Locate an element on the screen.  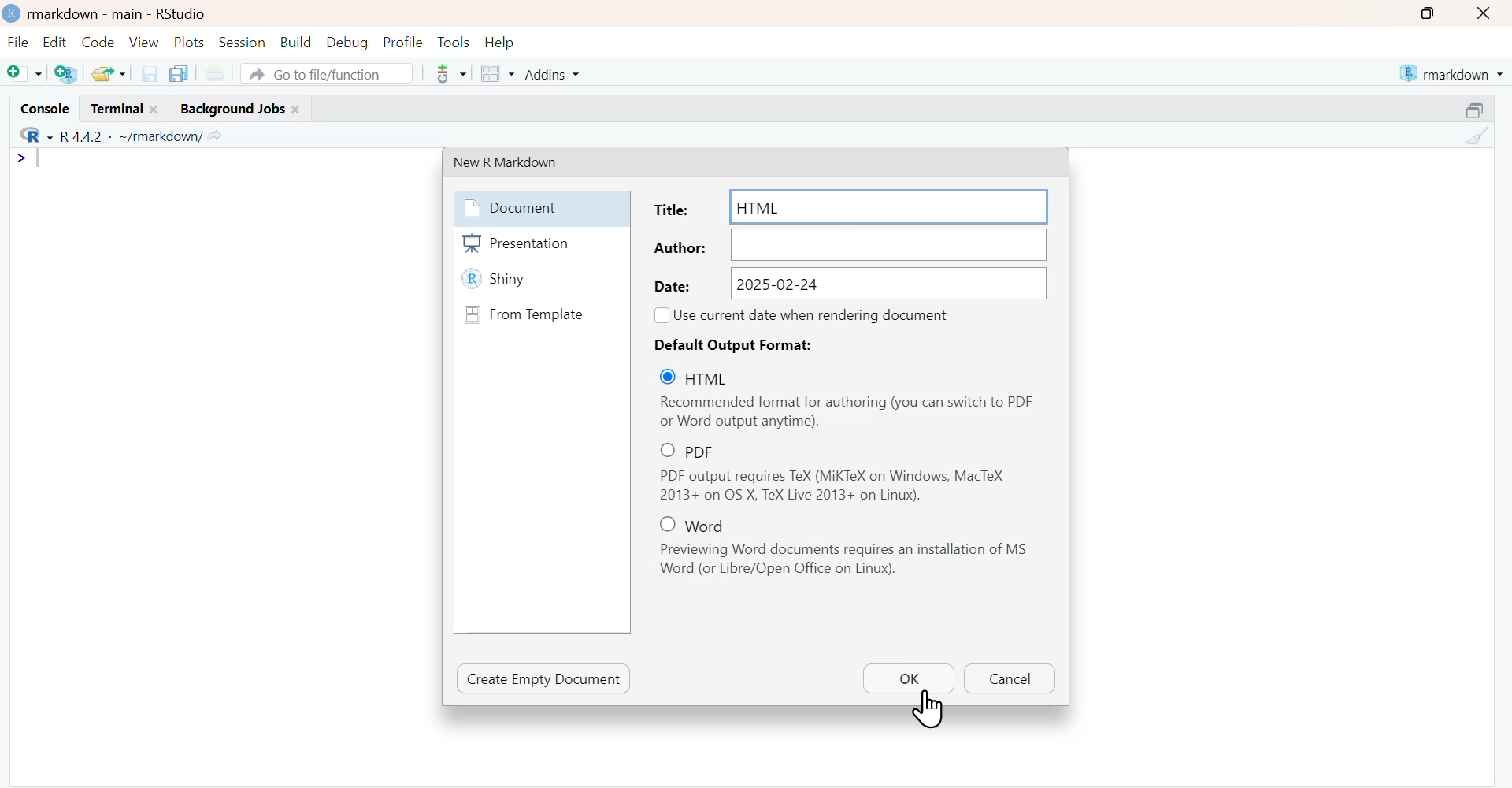
Console is located at coordinates (43, 107).